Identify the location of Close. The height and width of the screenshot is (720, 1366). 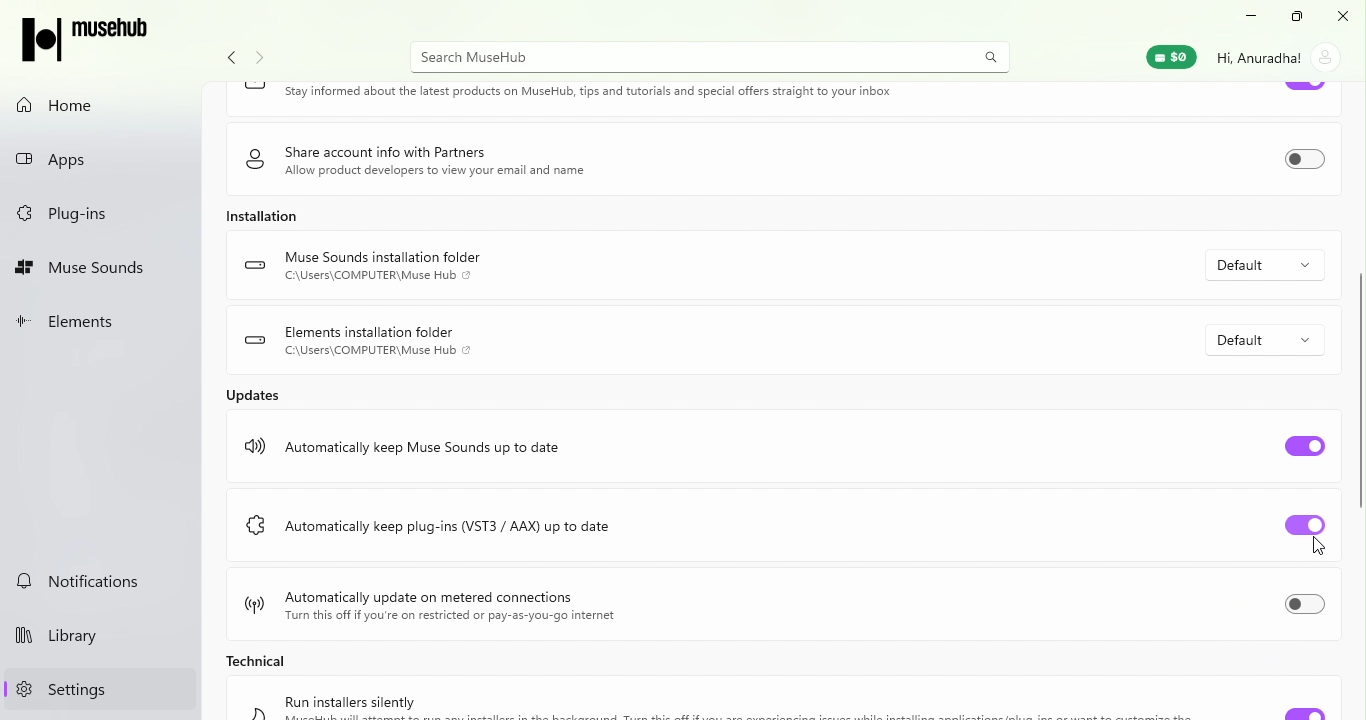
(1346, 19).